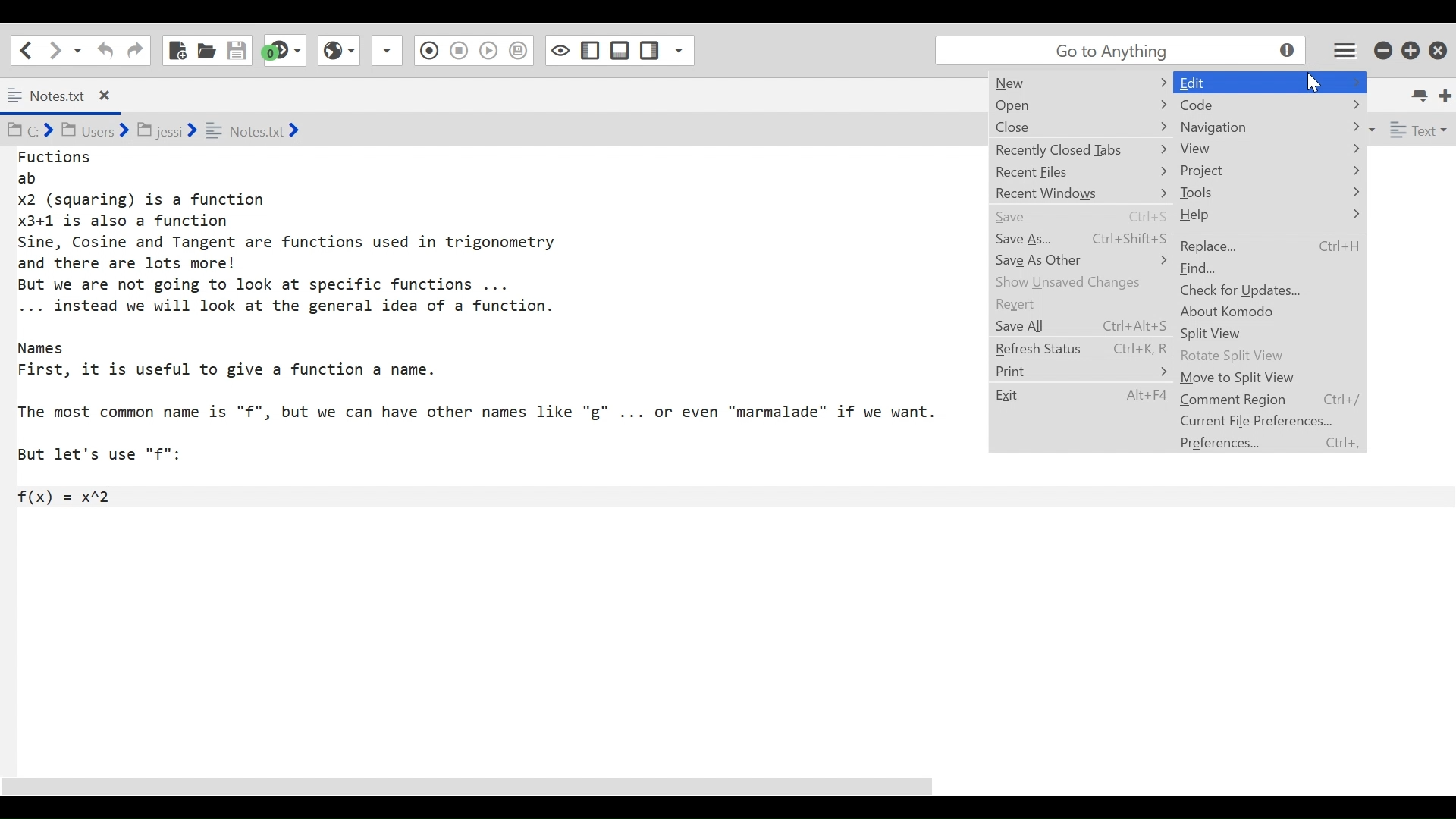 The height and width of the screenshot is (819, 1456). I want to click on Comment Region Ctrl+/, so click(1277, 399).